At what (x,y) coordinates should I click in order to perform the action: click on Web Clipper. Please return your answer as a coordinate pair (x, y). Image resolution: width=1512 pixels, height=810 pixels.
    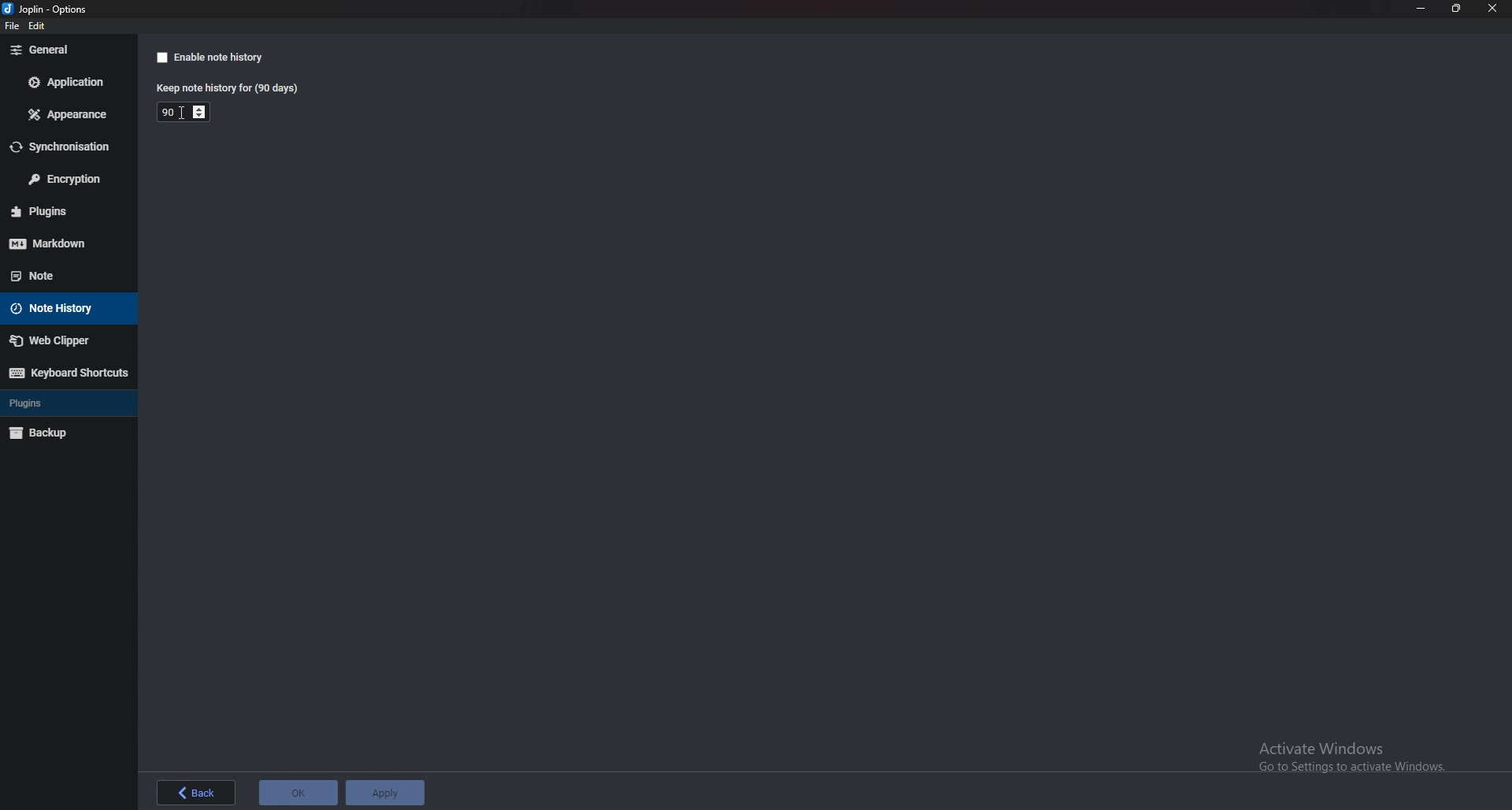
    Looking at the image, I should click on (62, 340).